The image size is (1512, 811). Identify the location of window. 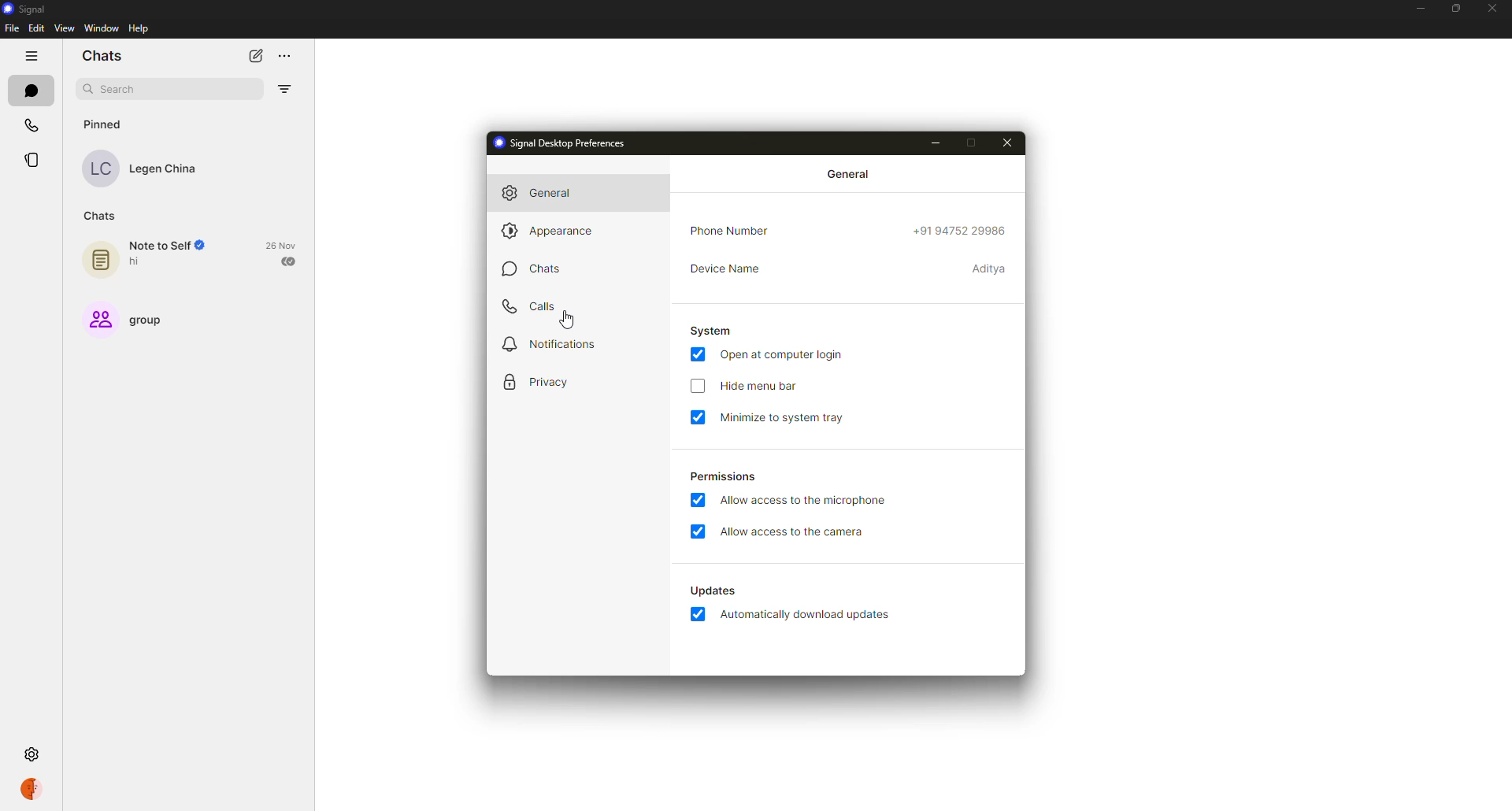
(97, 29).